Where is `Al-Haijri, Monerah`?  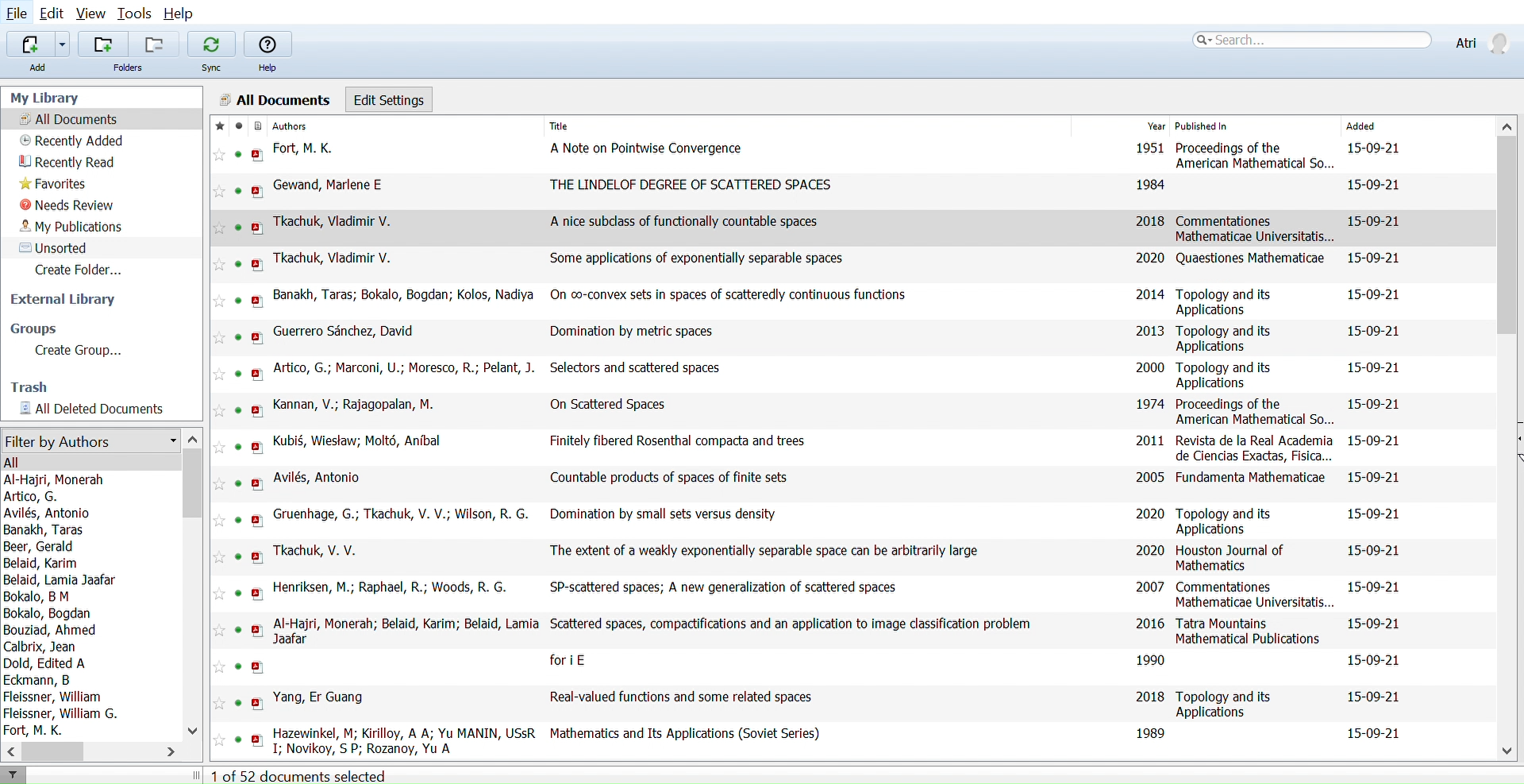
Al-Haijri, Monerah is located at coordinates (61, 479).